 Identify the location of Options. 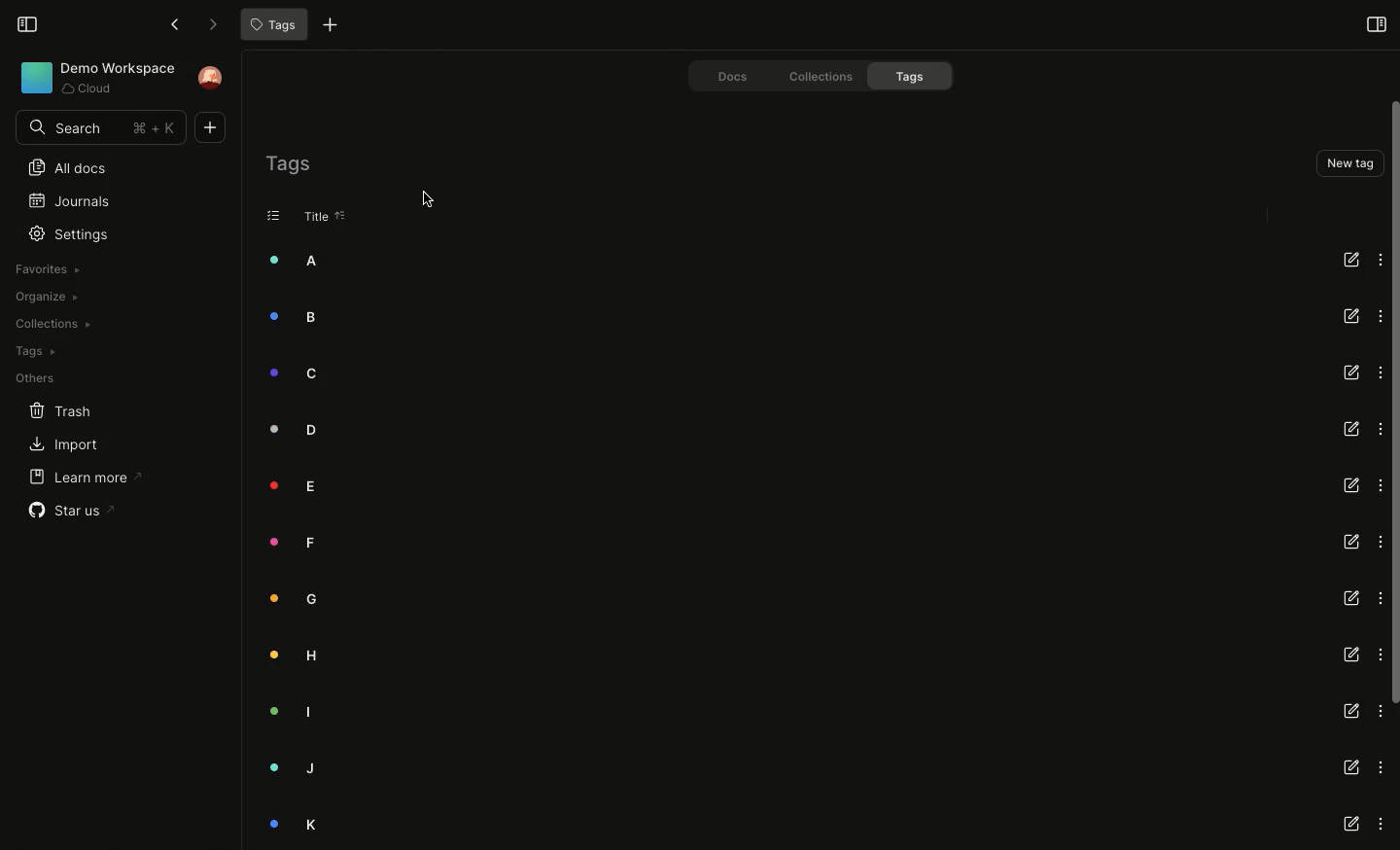
(1379, 485).